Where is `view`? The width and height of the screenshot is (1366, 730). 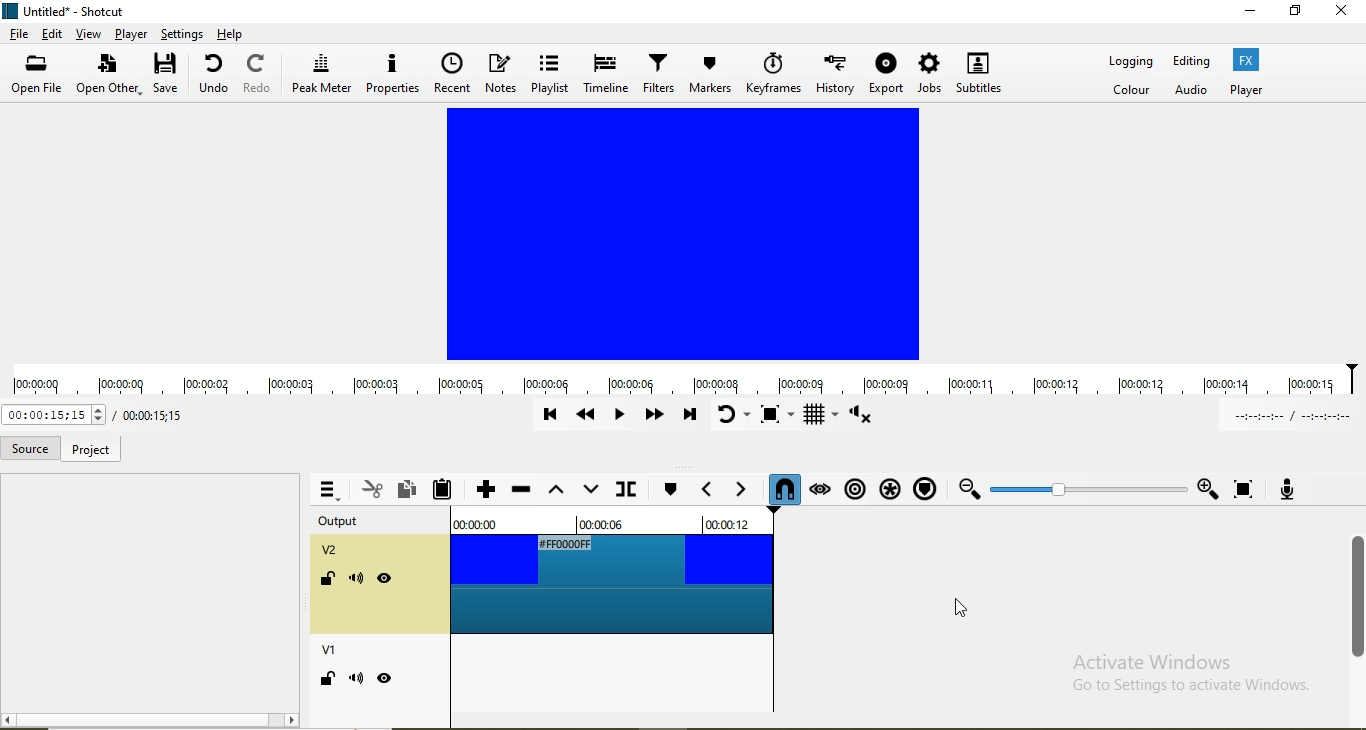 view is located at coordinates (89, 34).